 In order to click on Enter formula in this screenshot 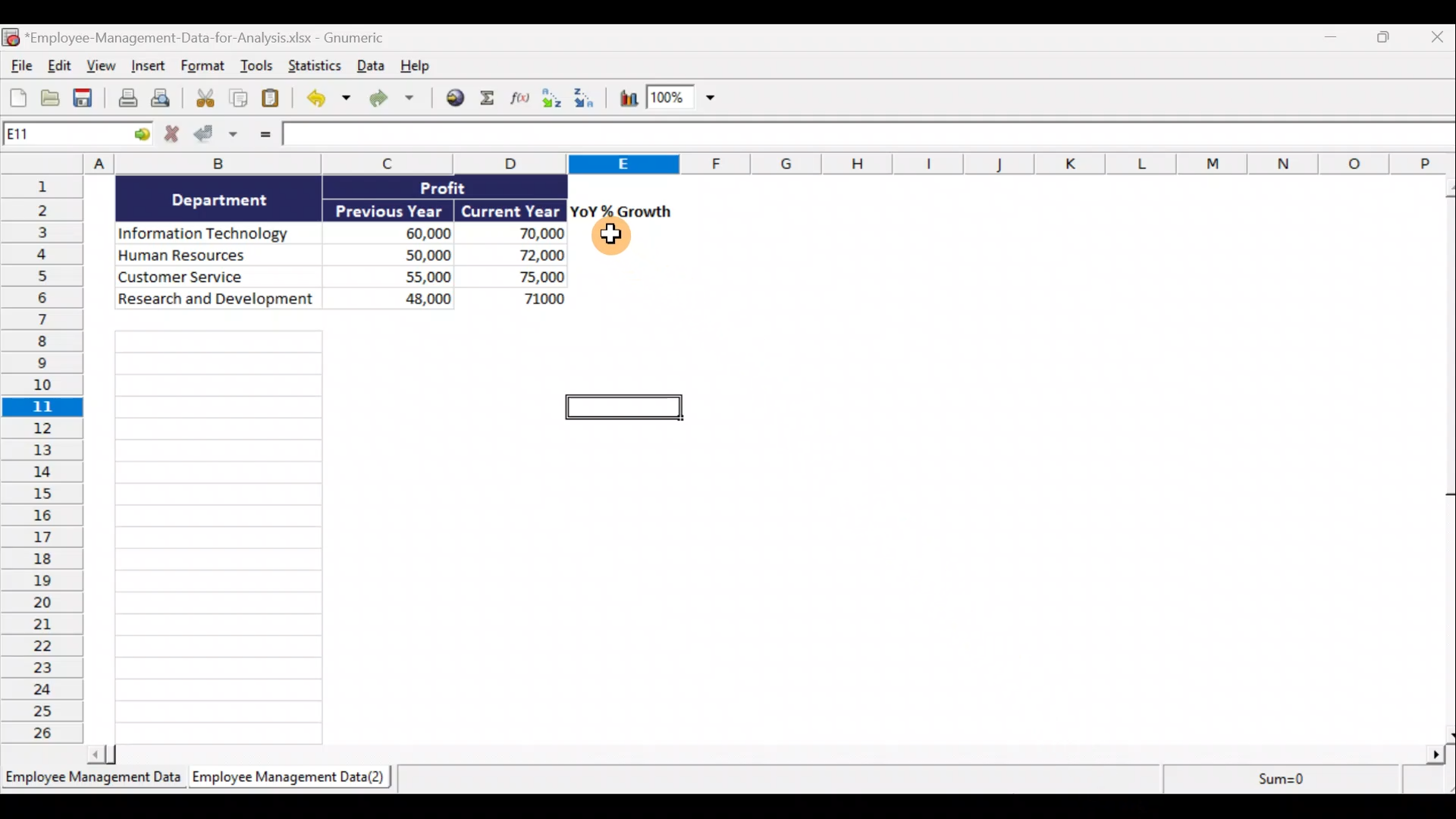, I will do `click(263, 137)`.